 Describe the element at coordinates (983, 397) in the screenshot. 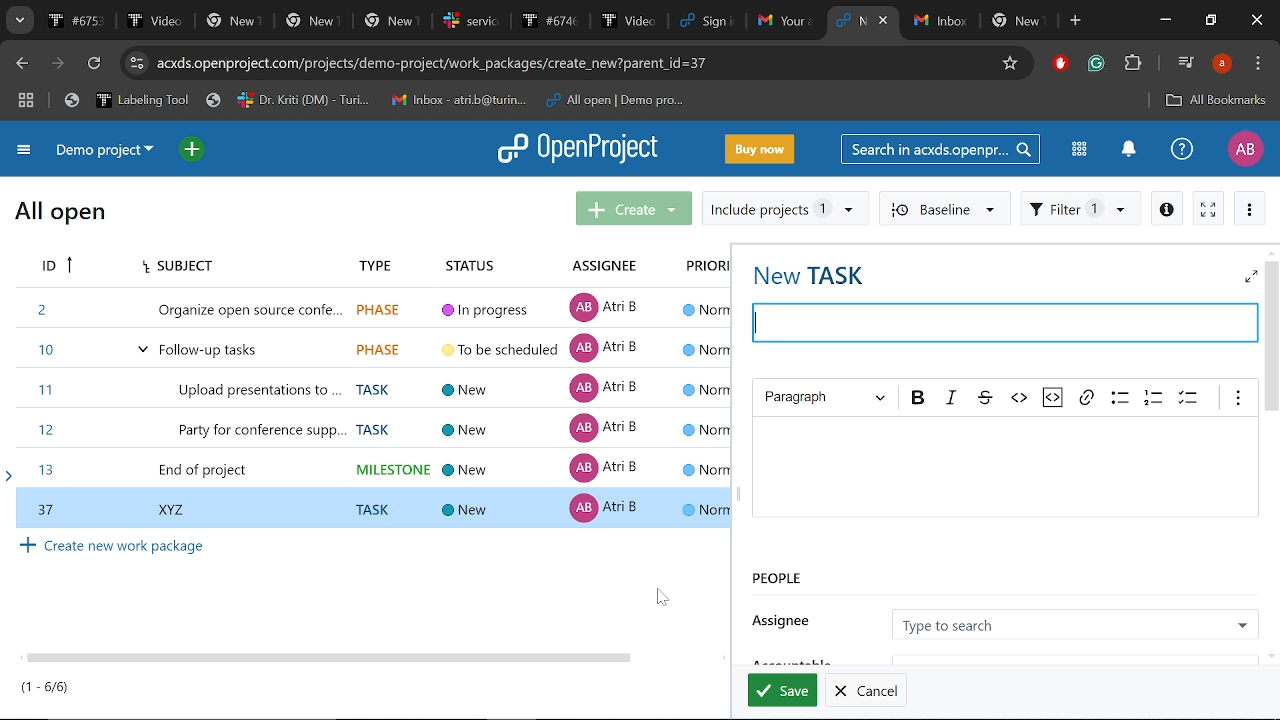

I see `strikethrough` at that location.